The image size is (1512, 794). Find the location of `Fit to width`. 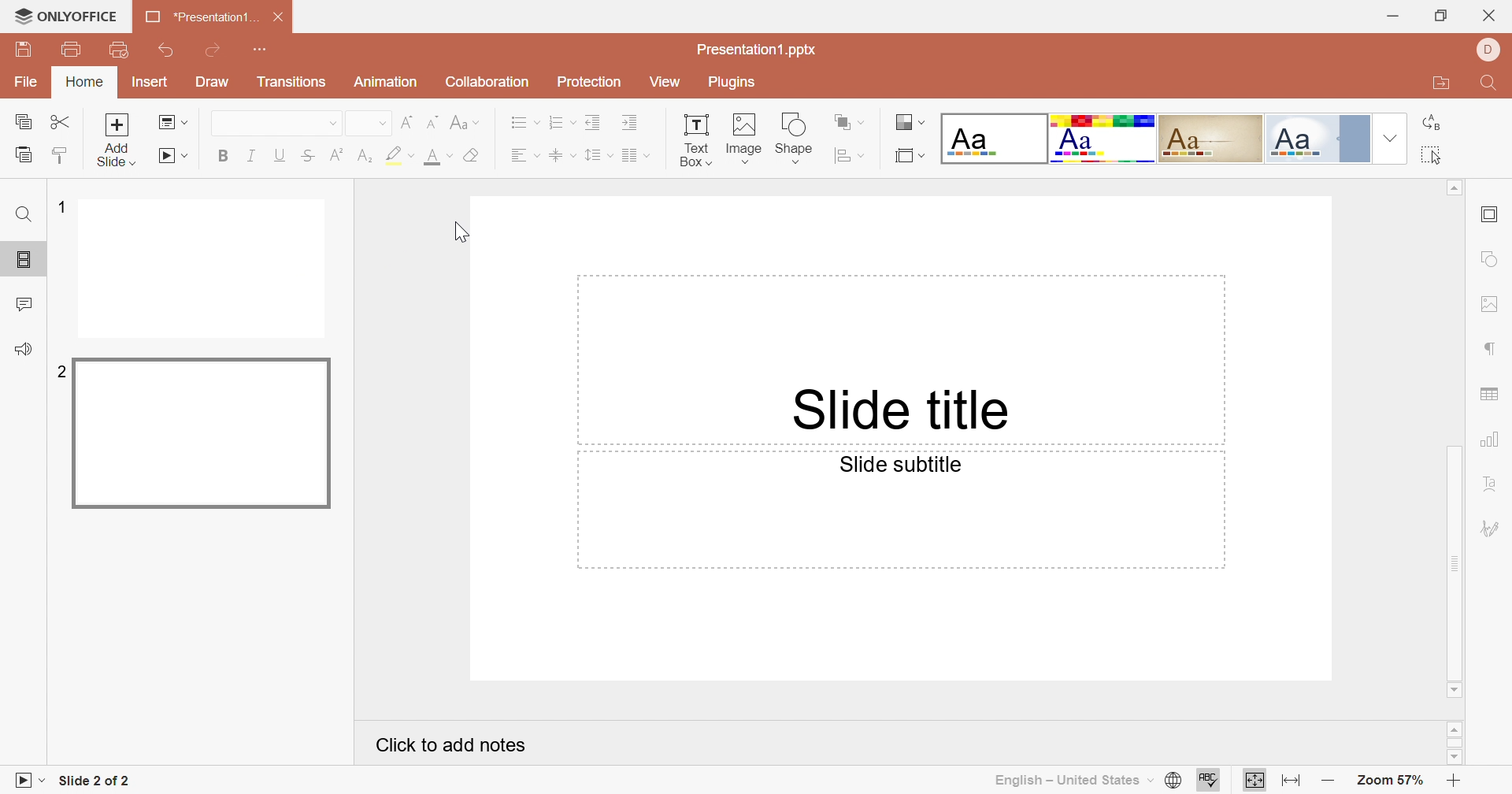

Fit to width is located at coordinates (1255, 781).